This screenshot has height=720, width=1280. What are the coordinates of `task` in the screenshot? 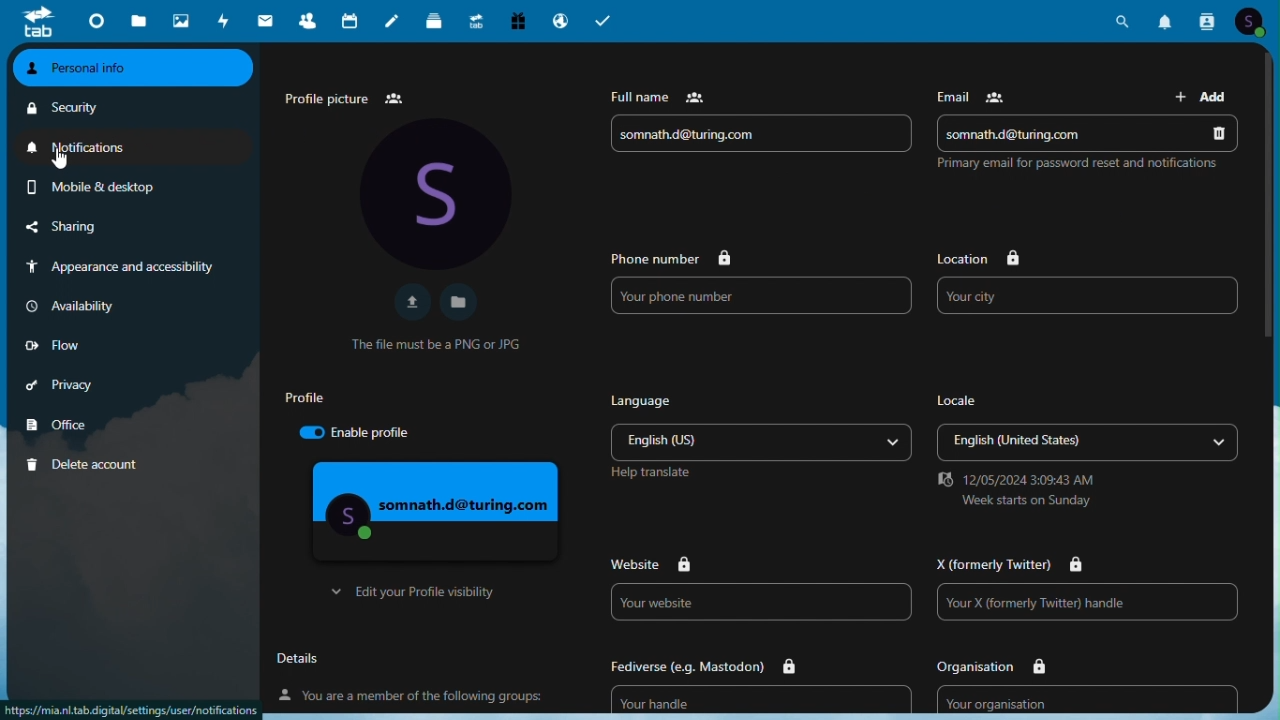 It's located at (603, 18).